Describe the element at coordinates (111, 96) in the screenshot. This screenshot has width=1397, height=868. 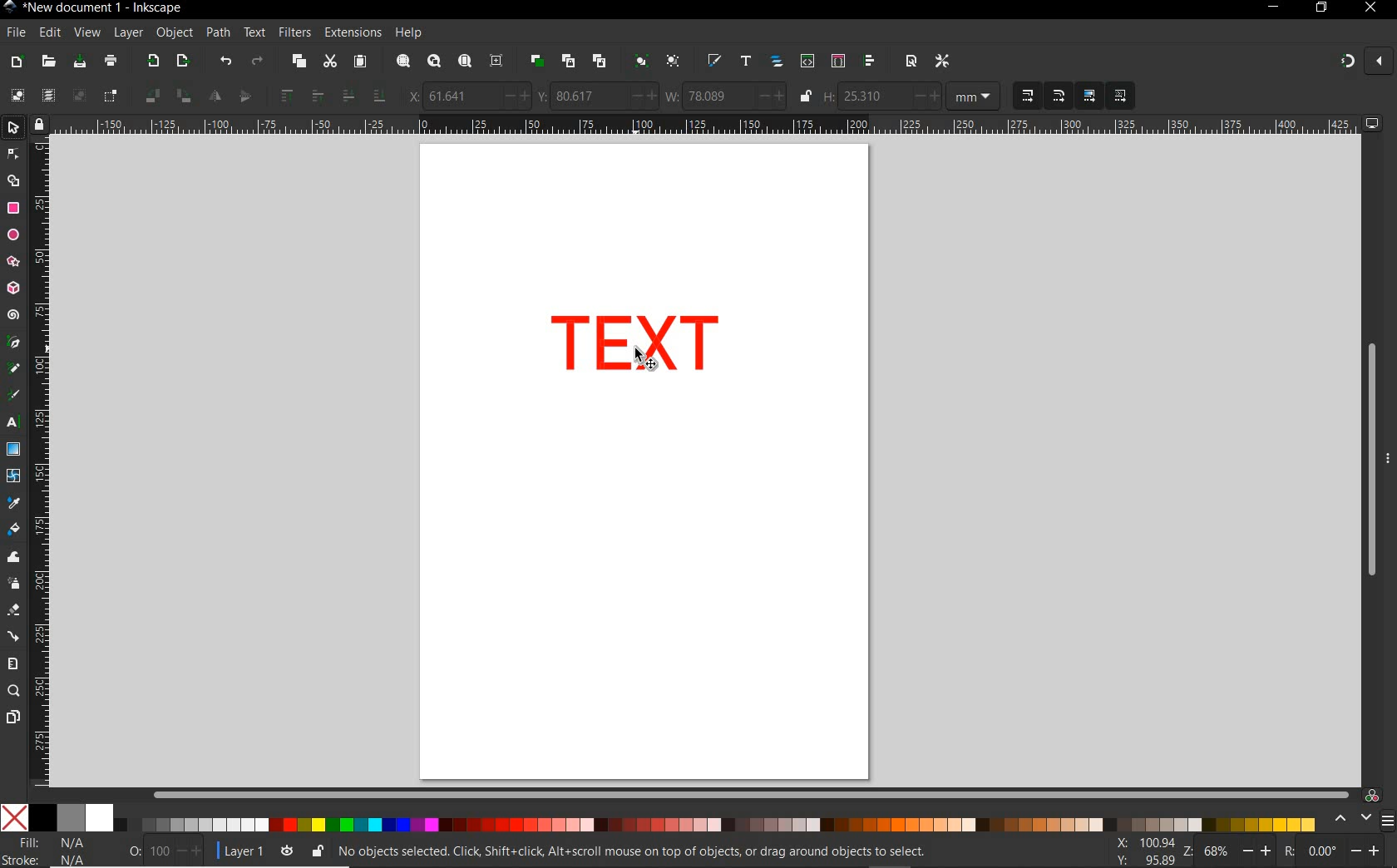
I see `toggle selection box to select all touched objects` at that location.